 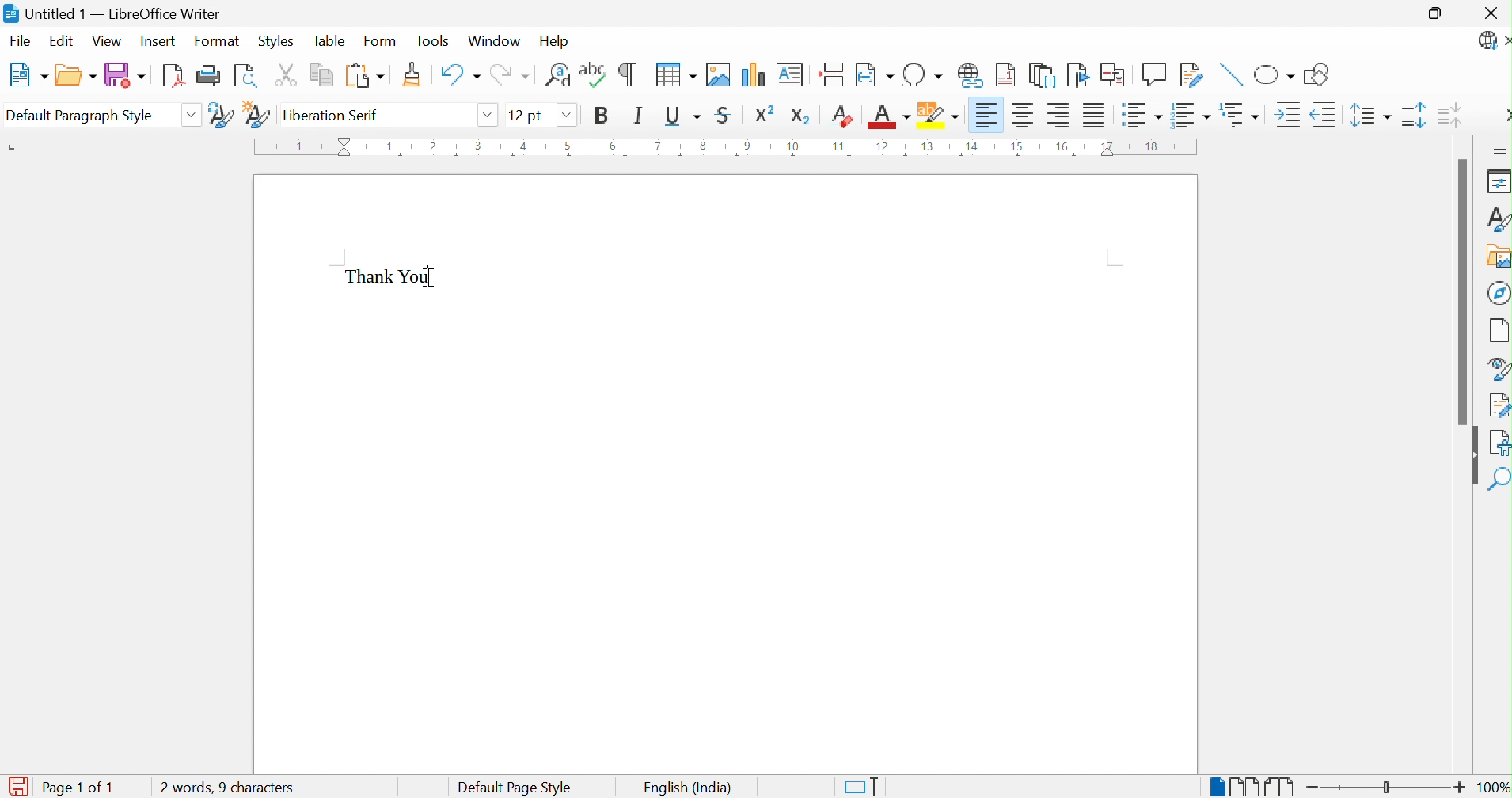 What do you see at coordinates (922, 74) in the screenshot?
I see `Insert Special Characters` at bounding box center [922, 74].